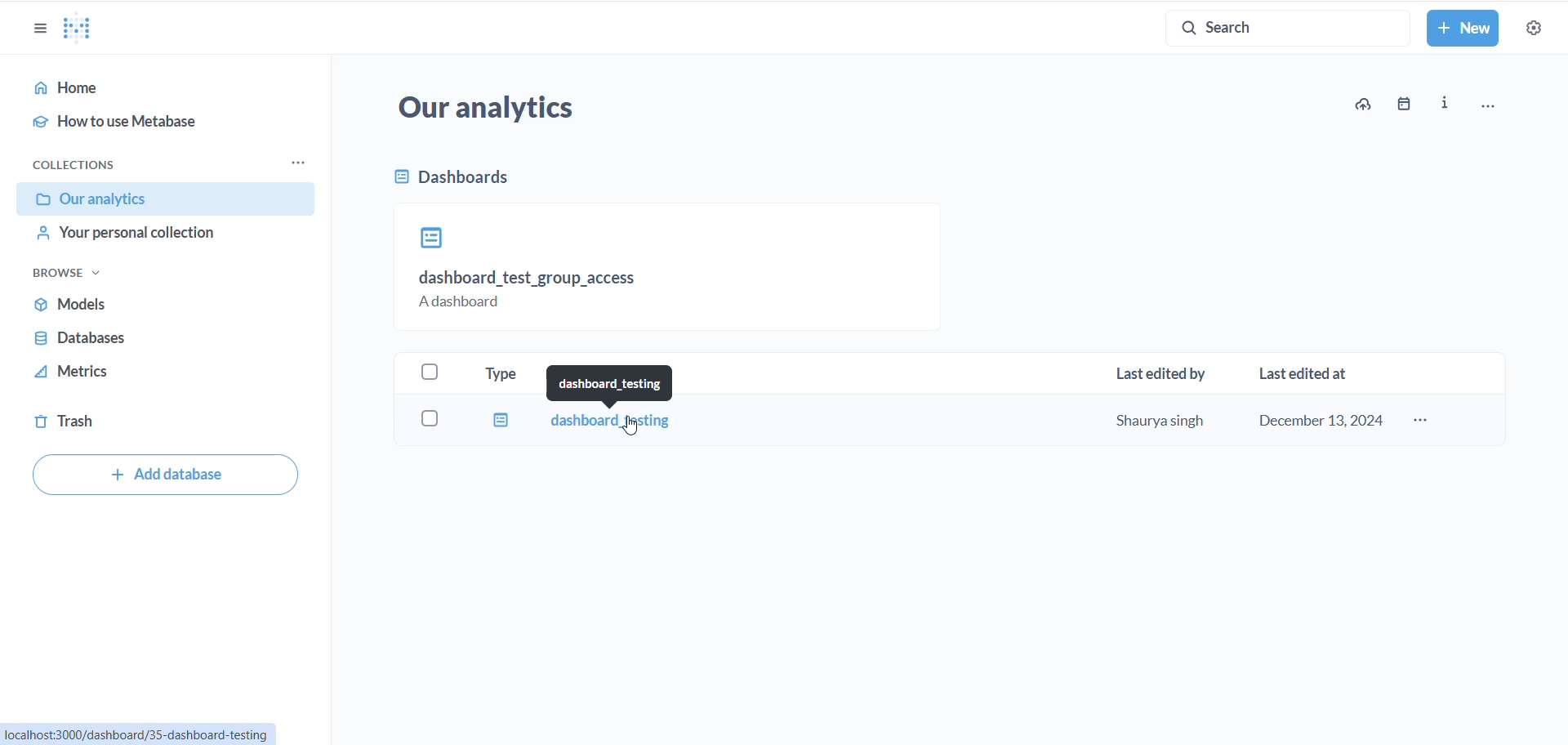  I want to click on dashboard icon, so click(498, 419).